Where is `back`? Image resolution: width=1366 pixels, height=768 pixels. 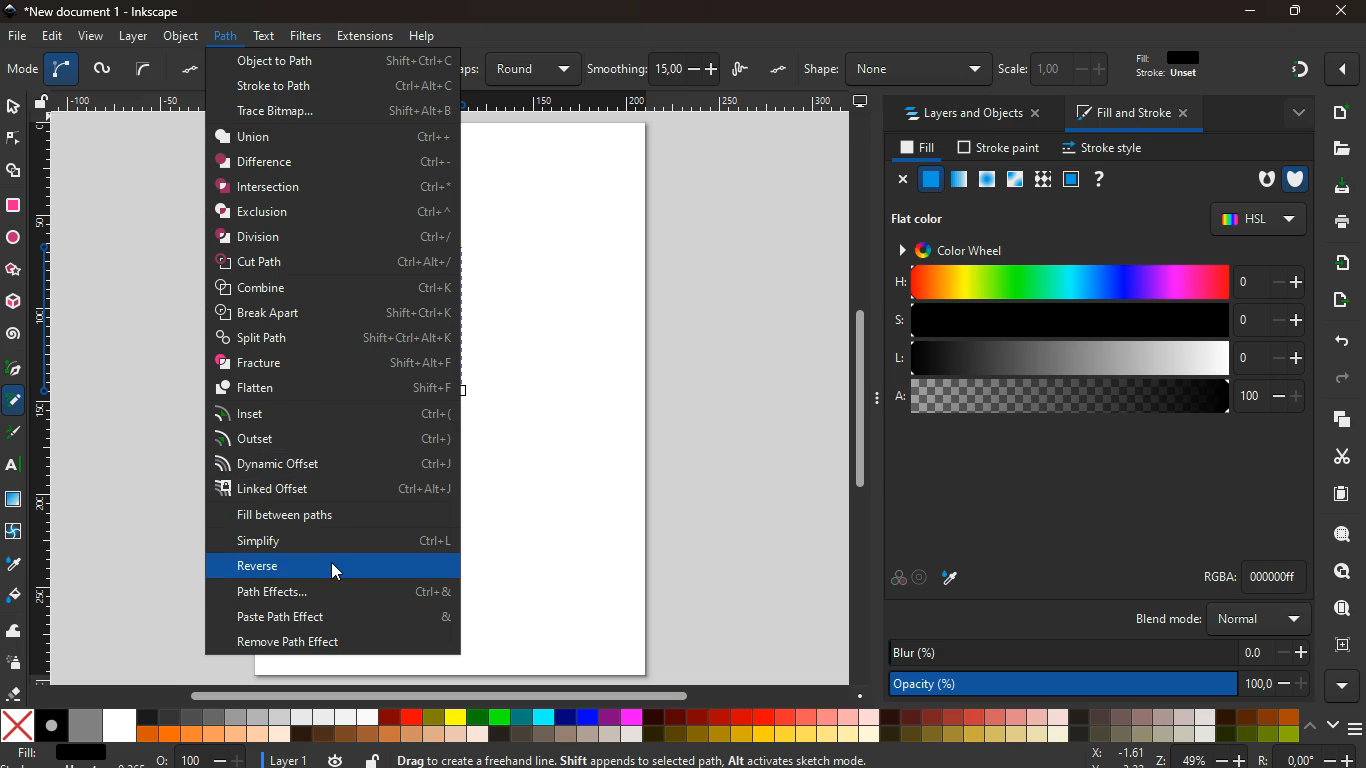 back is located at coordinates (1339, 342).